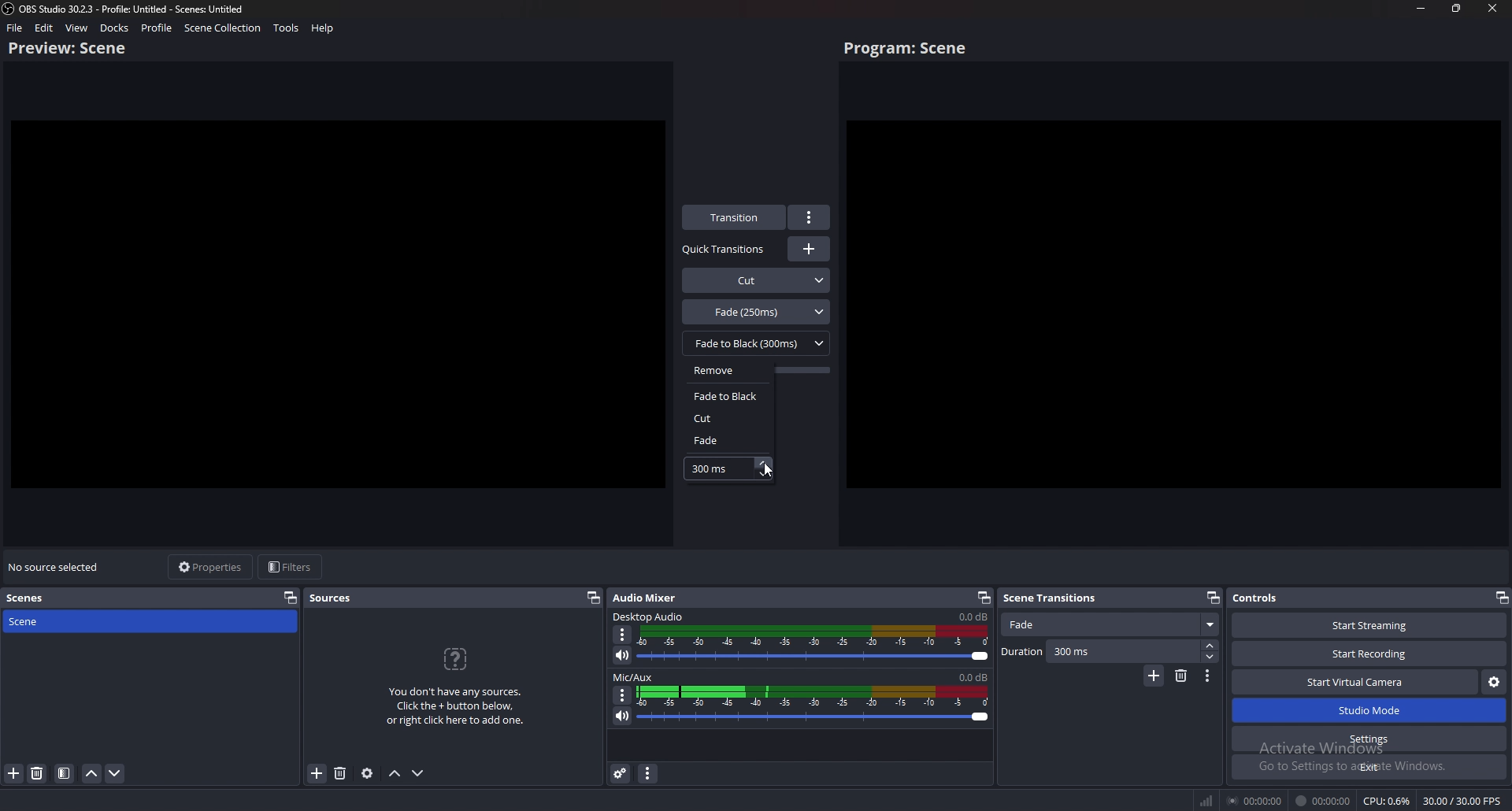 The width and height of the screenshot is (1512, 811). I want to click on pop out, so click(291, 597).